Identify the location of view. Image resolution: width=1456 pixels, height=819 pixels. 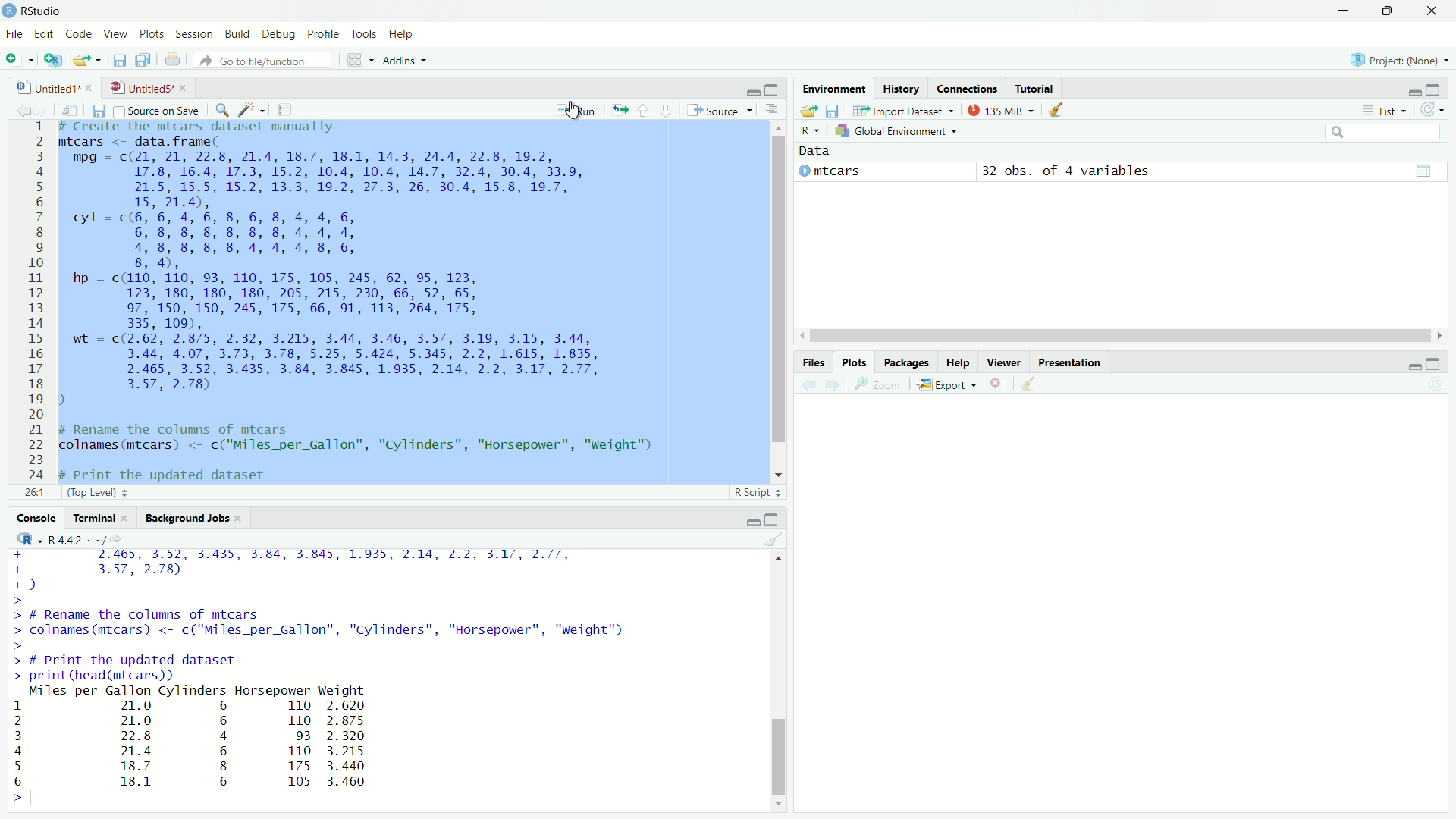
(1422, 169).